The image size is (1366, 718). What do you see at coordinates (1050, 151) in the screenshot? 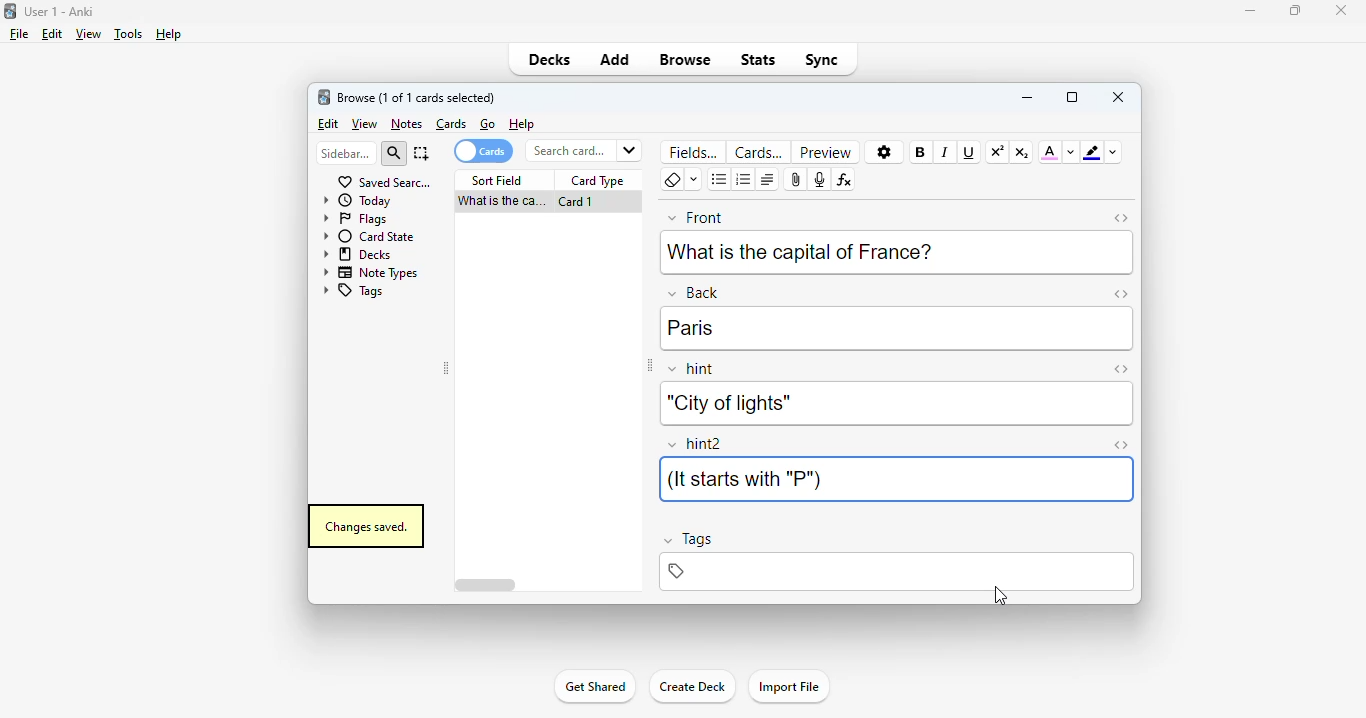
I see `text color` at bounding box center [1050, 151].